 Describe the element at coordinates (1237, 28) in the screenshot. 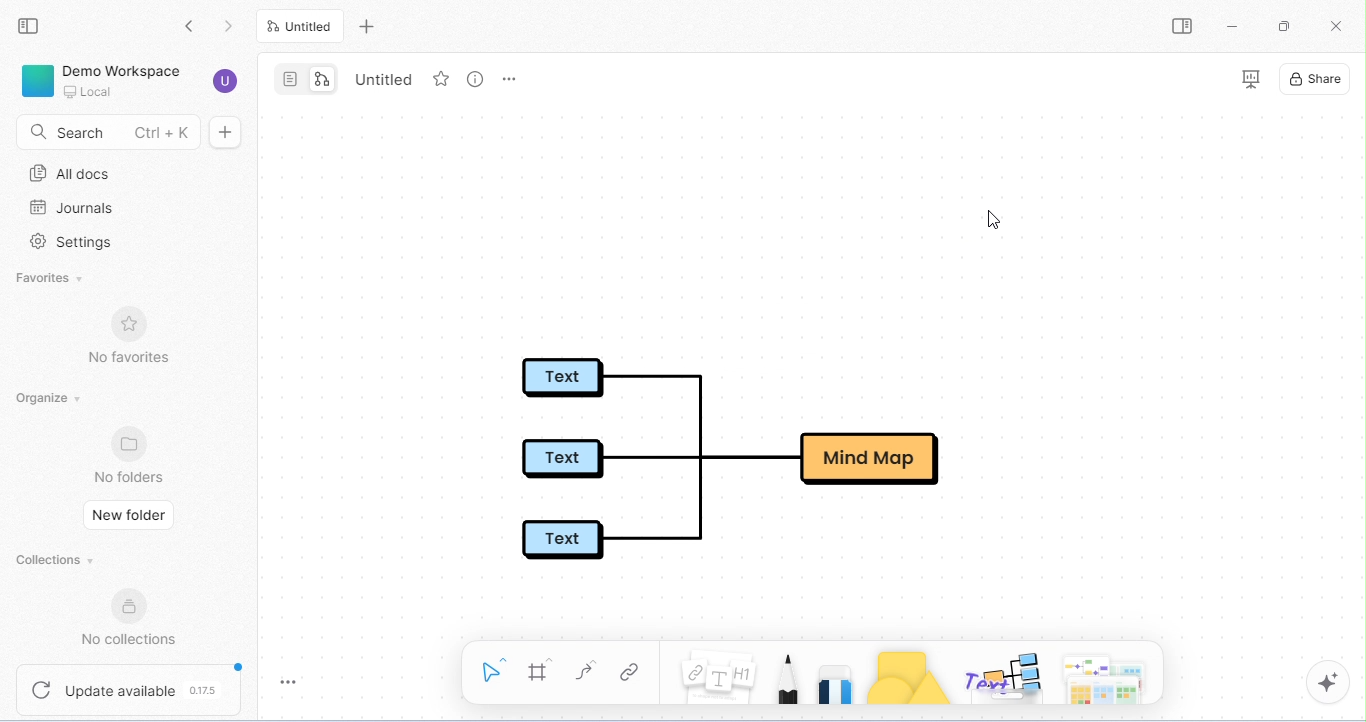

I see `minimize` at that location.